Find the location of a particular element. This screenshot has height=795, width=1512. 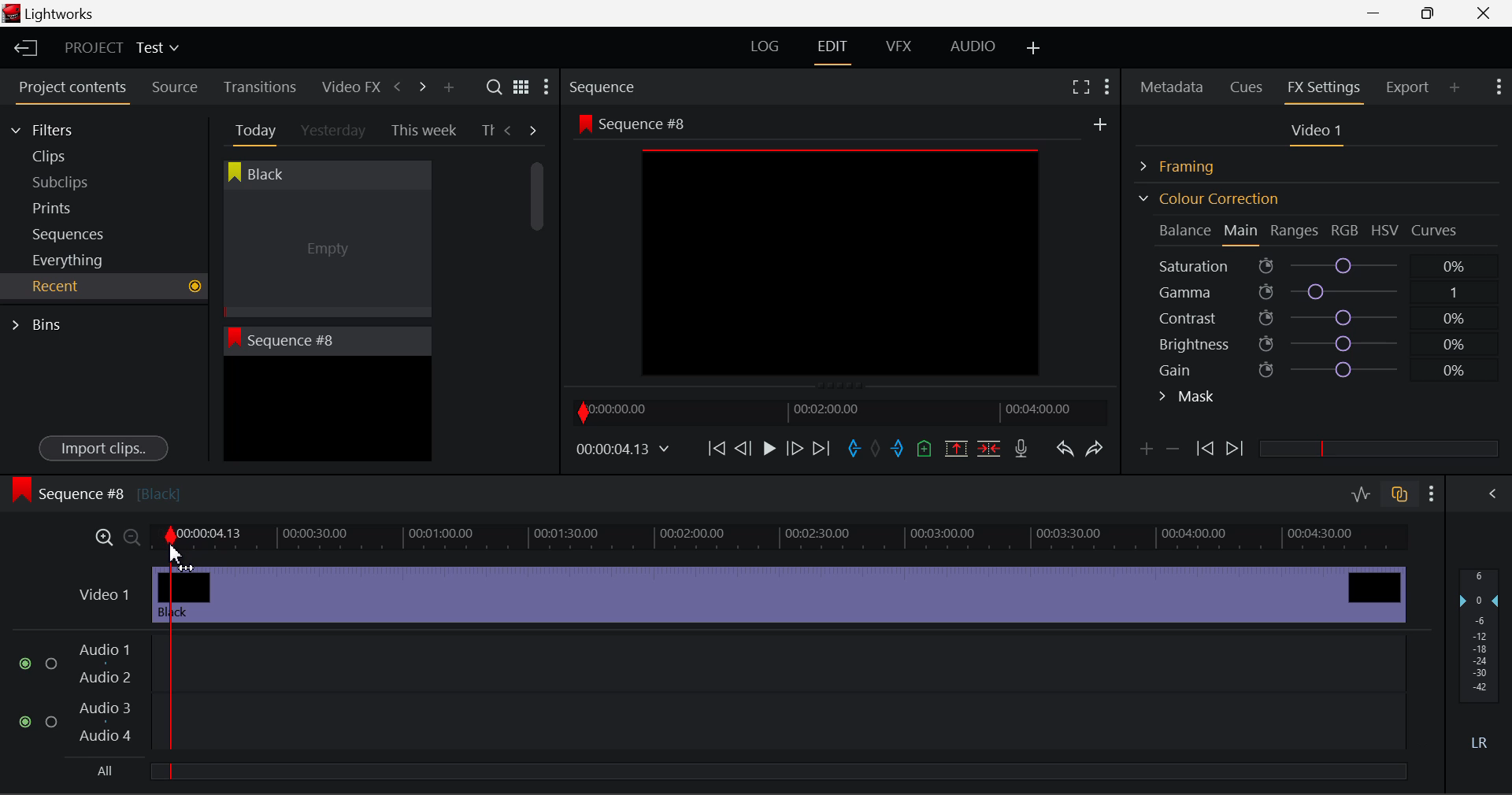

Delete keyframe is located at coordinates (1173, 452).